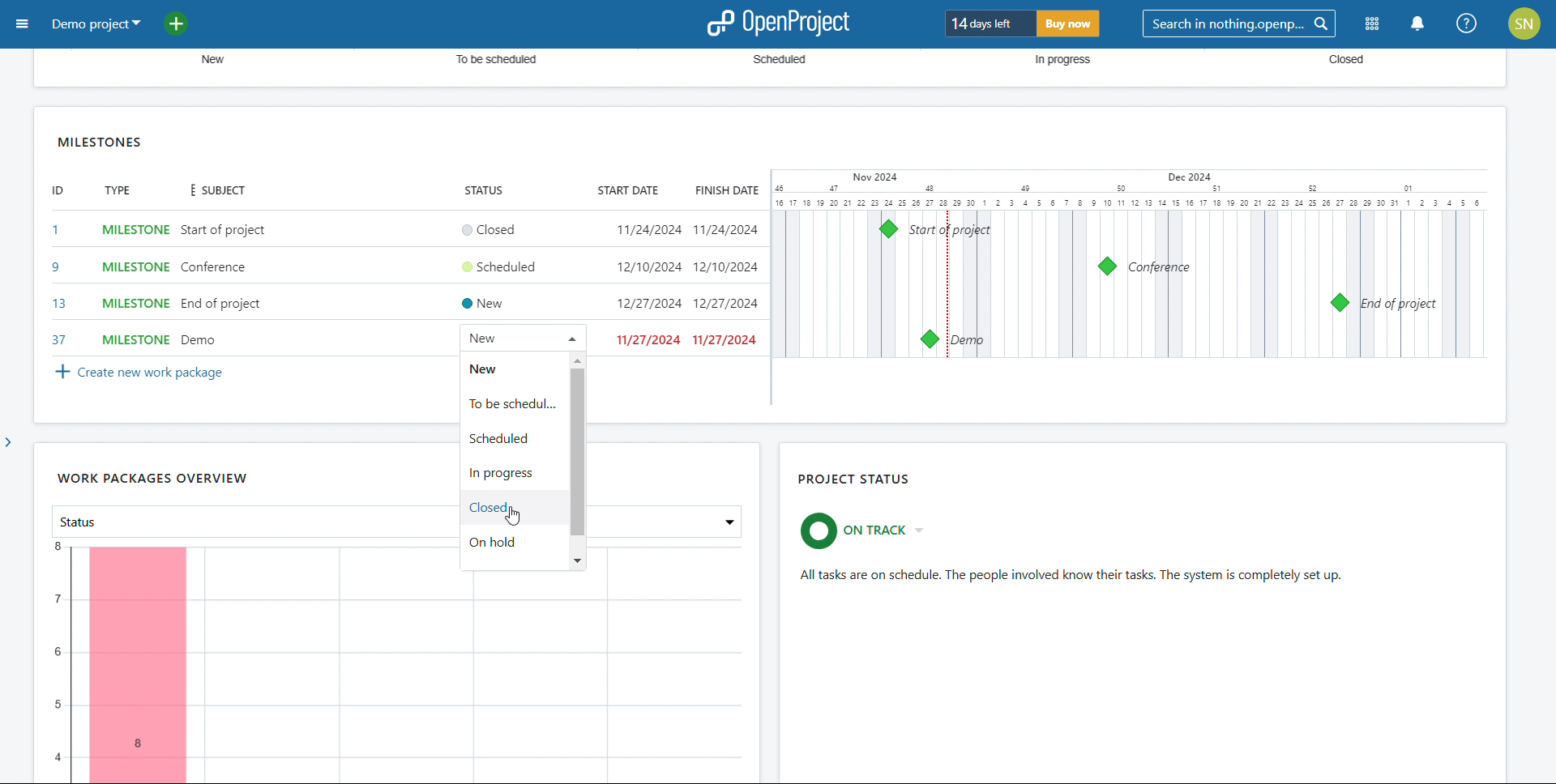  What do you see at coordinates (513, 403) in the screenshot?
I see `to be scheduled` at bounding box center [513, 403].